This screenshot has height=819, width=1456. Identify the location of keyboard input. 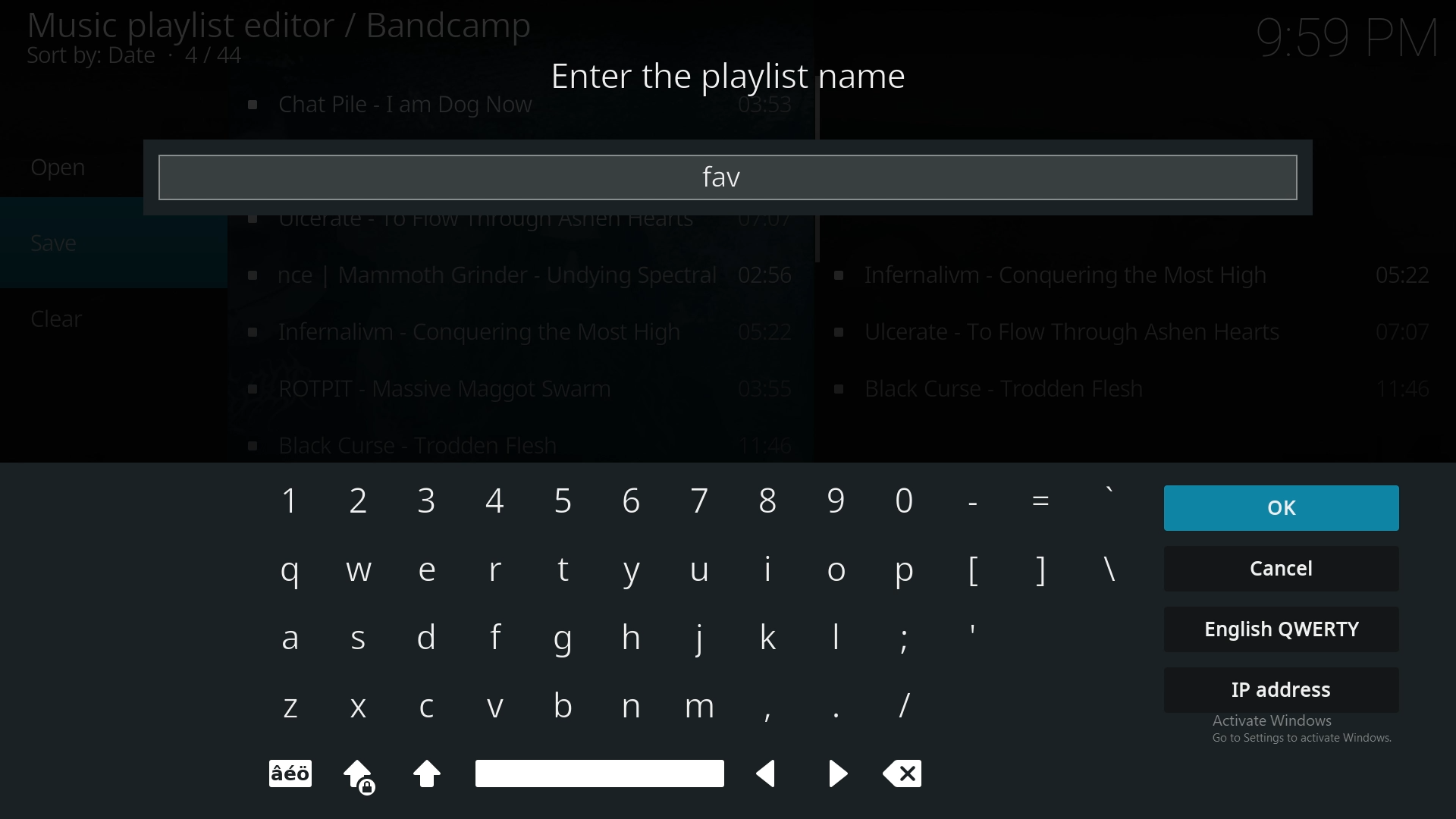
(362, 705).